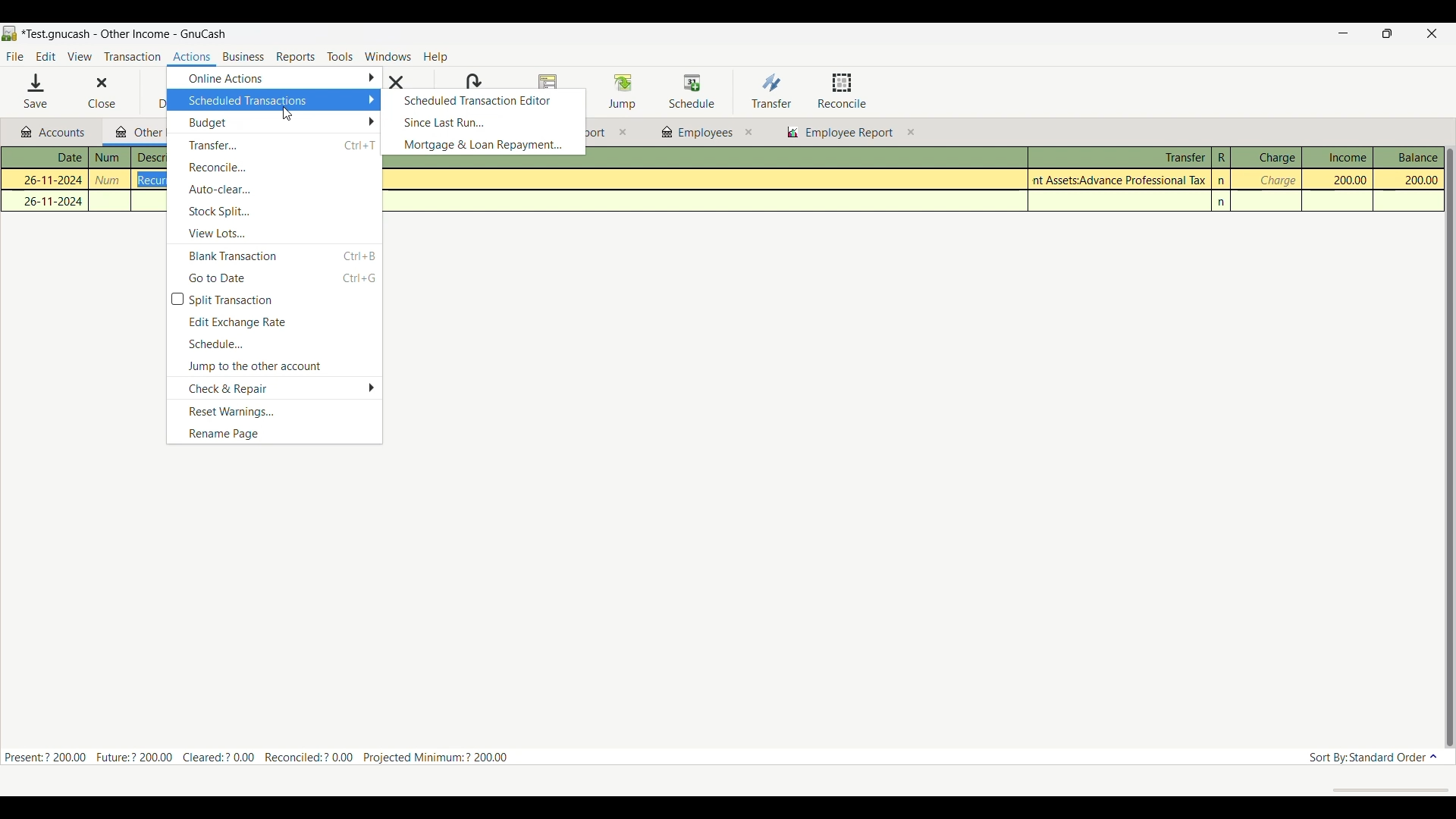 The image size is (1456, 819). Describe the element at coordinates (46, 178) in the screenshot. I see `26-11-2024` at that location.